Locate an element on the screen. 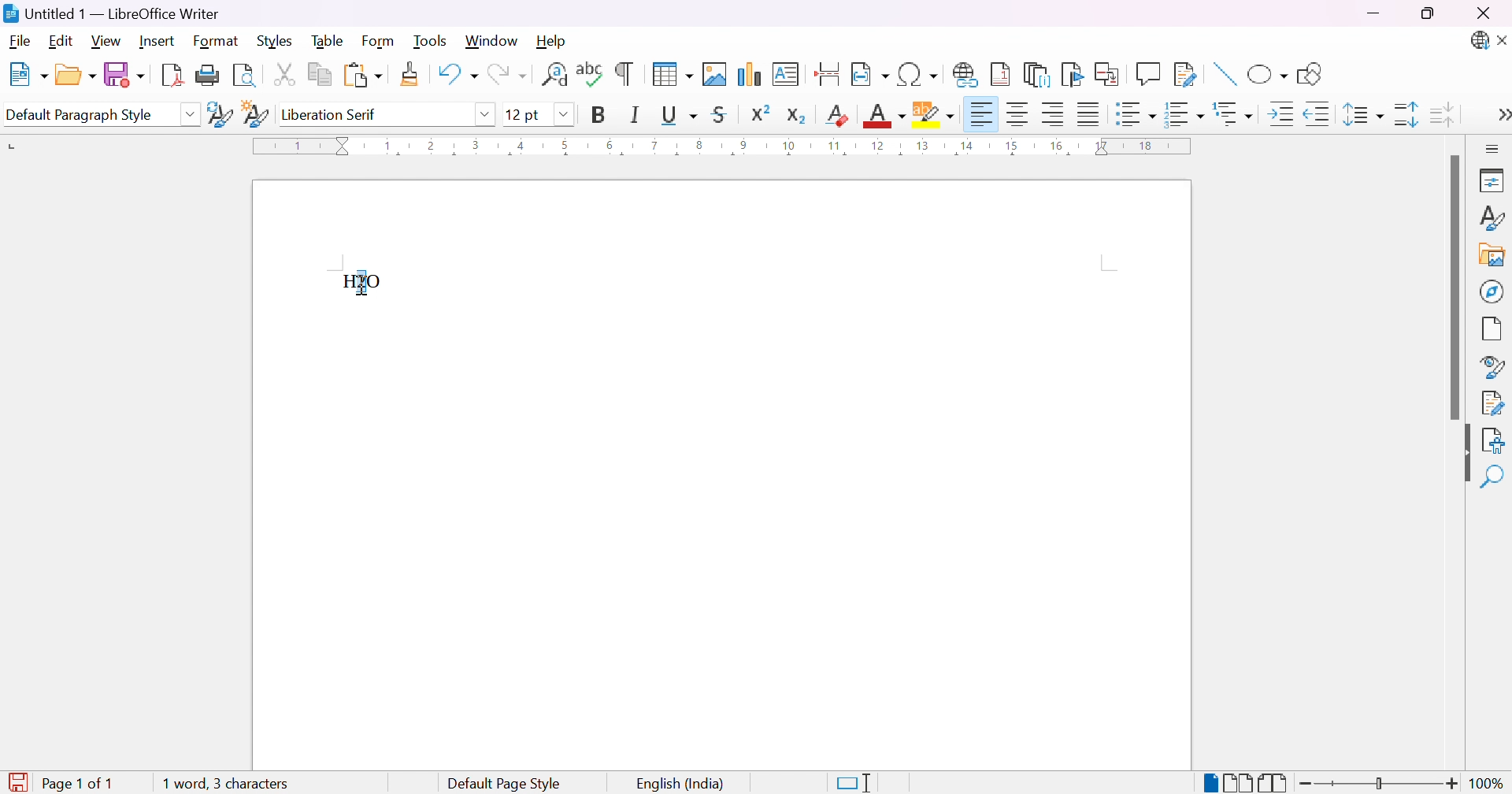 This screenshot has height=794, width=1512. Styles is located at coordinates (279, 40).